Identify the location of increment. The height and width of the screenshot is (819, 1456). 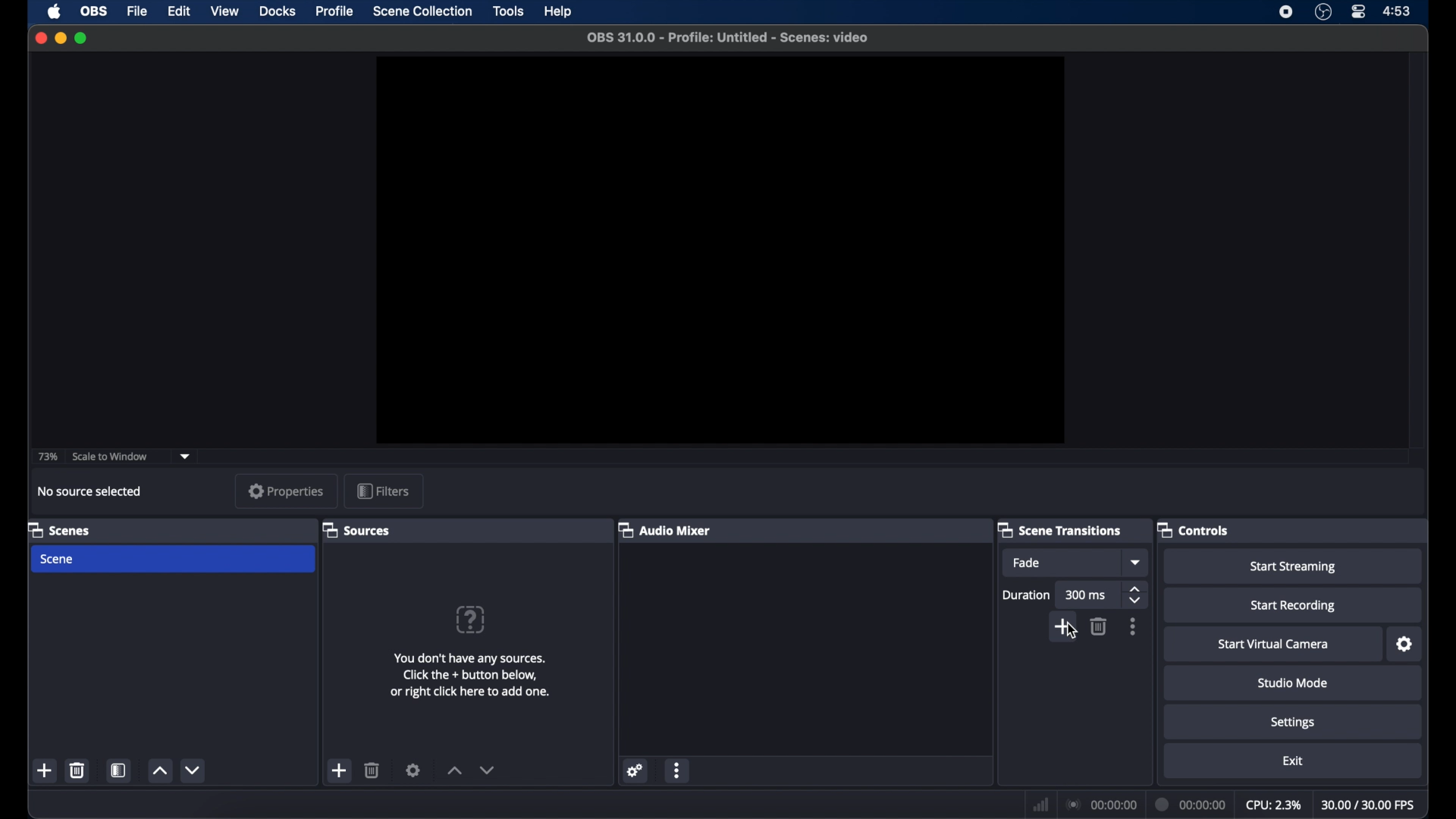
(159, 772).